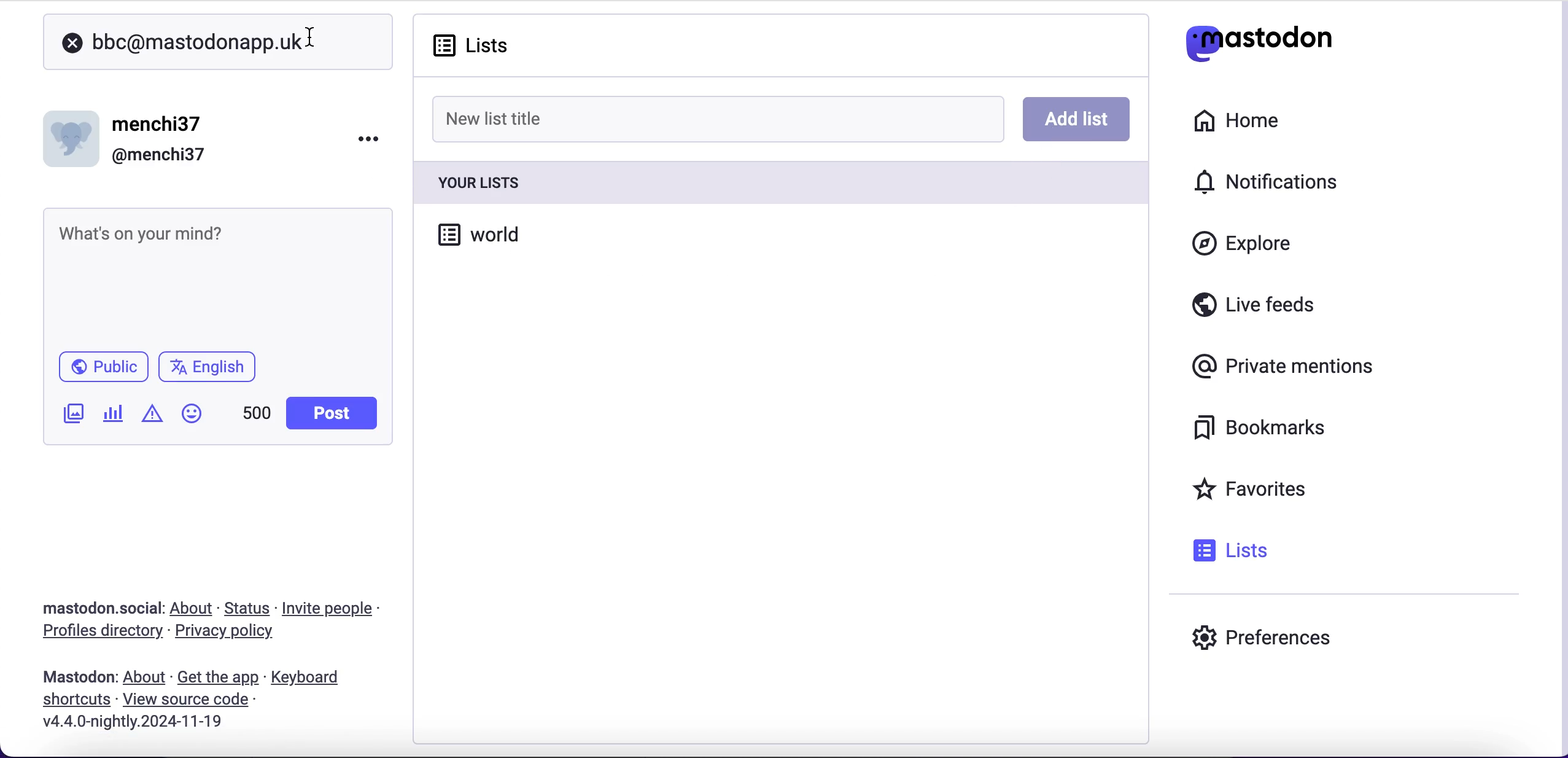  Describe the element at coordinates (112, 418) in the screenshot. I see `add a poll` at that location.